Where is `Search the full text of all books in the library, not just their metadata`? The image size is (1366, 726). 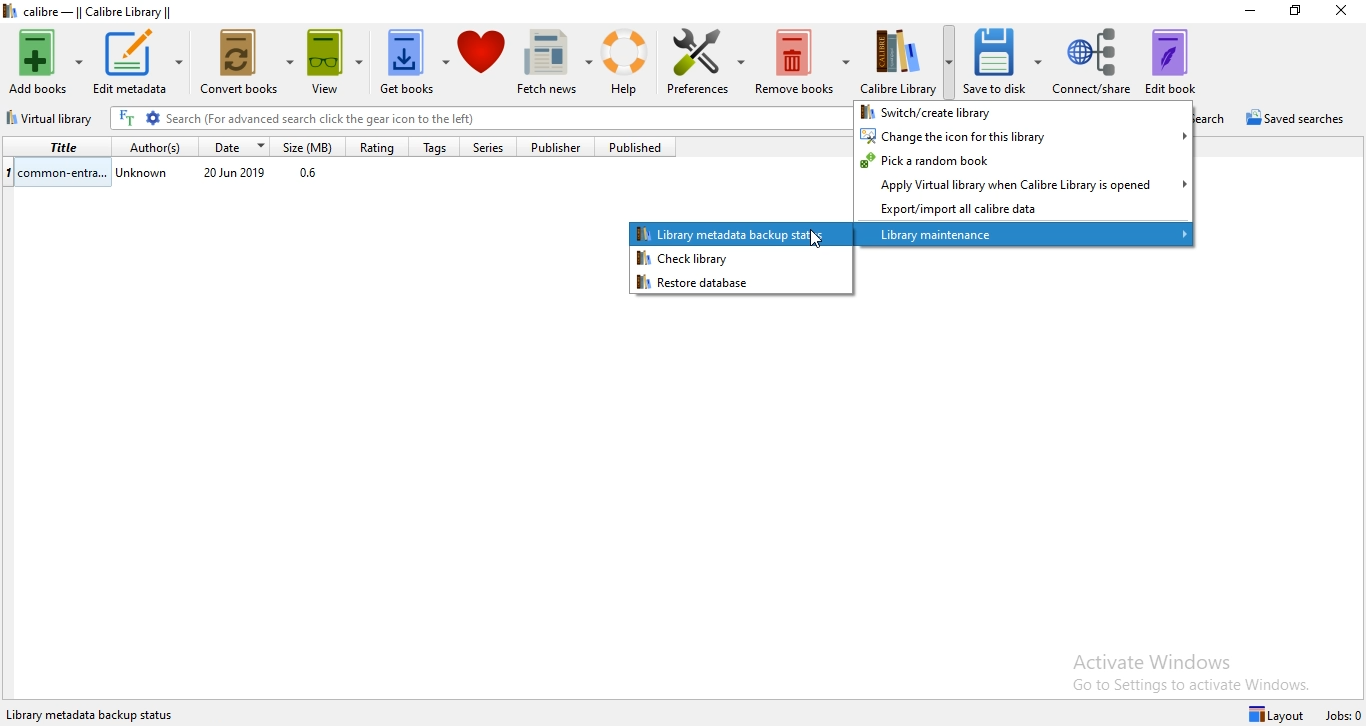 Search the full text of all books in the library, not just their metadata is located at coordinates (127, 118).